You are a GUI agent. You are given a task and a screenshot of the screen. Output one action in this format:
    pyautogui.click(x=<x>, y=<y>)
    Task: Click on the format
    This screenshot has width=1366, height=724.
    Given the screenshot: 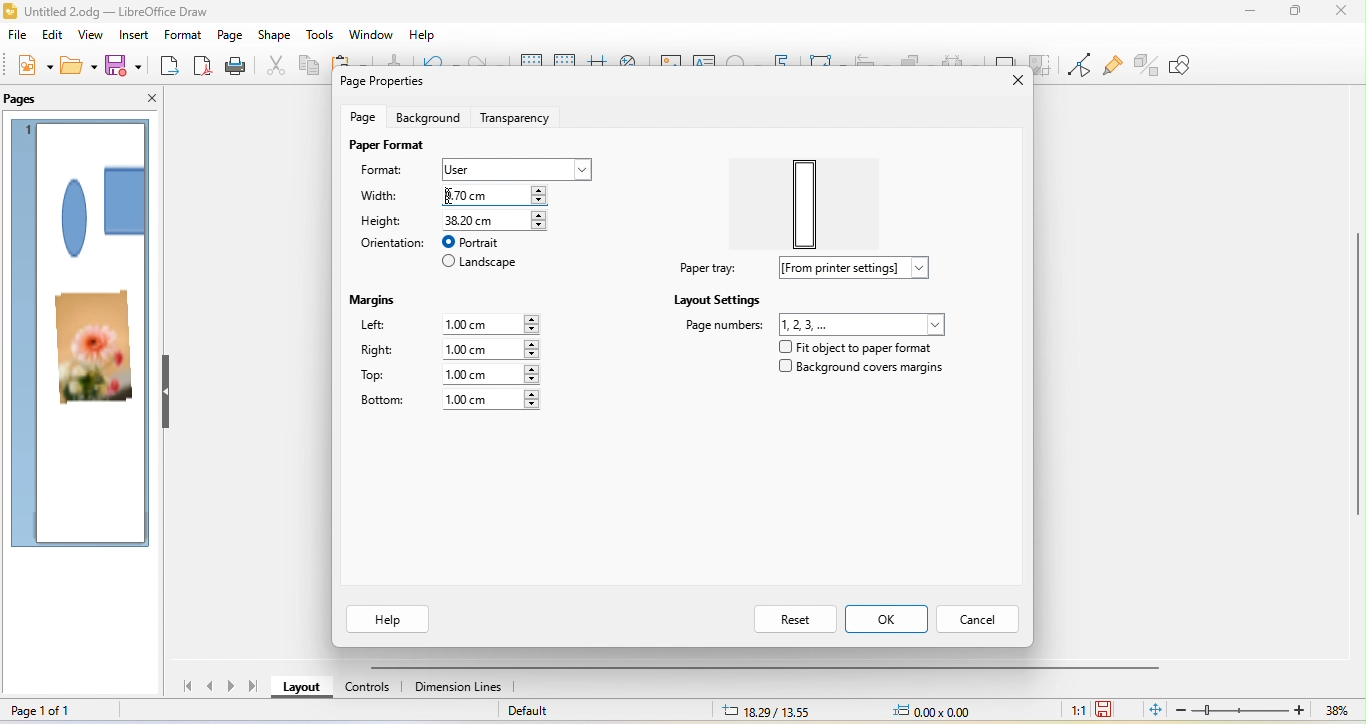 What is the action you would take?
    pyautogui.click(x=183, y=35)
    